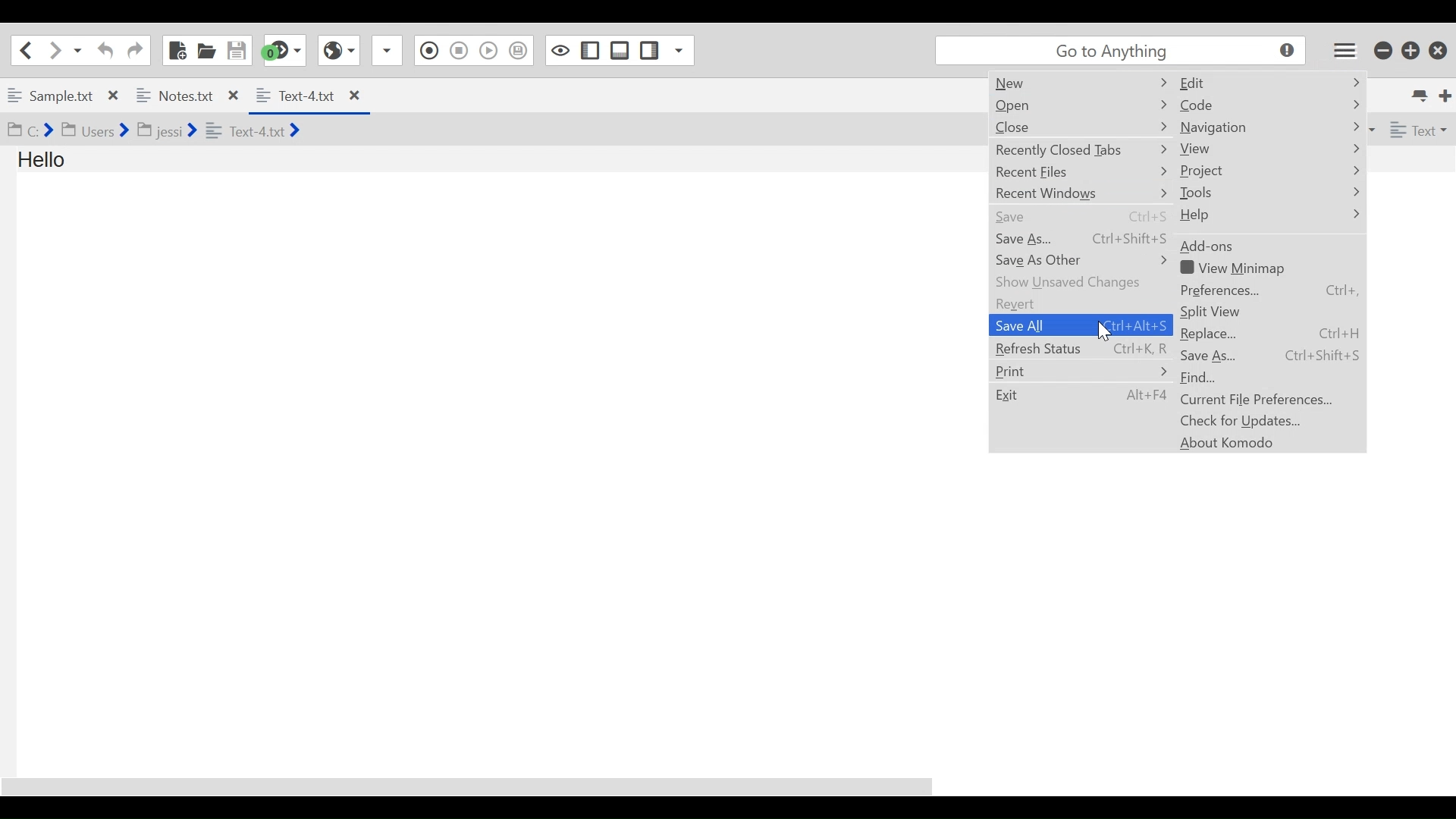  I want to click on Hello, so click(40, 160).